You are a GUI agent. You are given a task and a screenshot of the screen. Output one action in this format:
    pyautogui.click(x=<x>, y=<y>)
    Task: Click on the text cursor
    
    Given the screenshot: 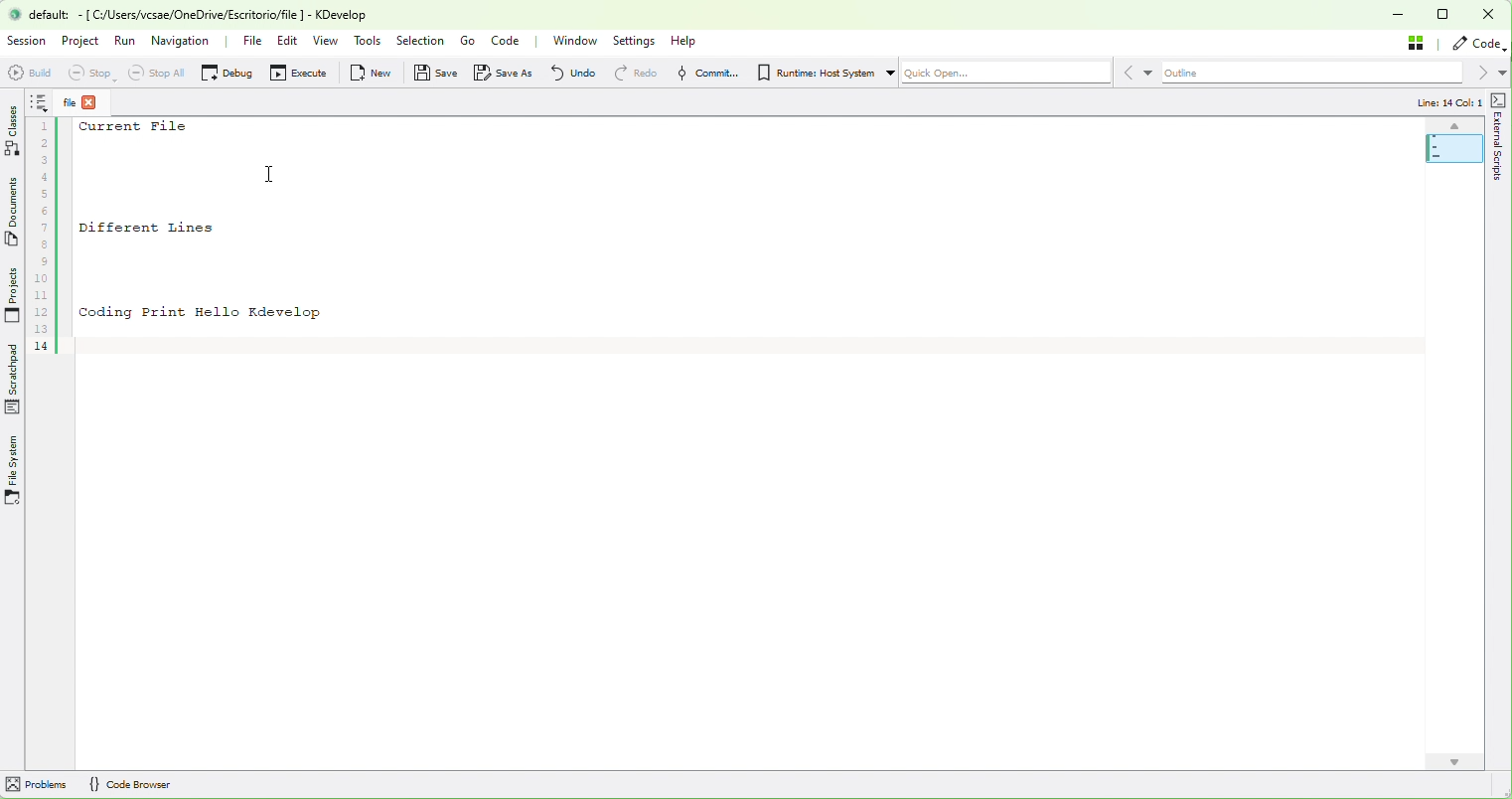 What is the action you would take?
    pyautogui.click(x=269, y=173)
    